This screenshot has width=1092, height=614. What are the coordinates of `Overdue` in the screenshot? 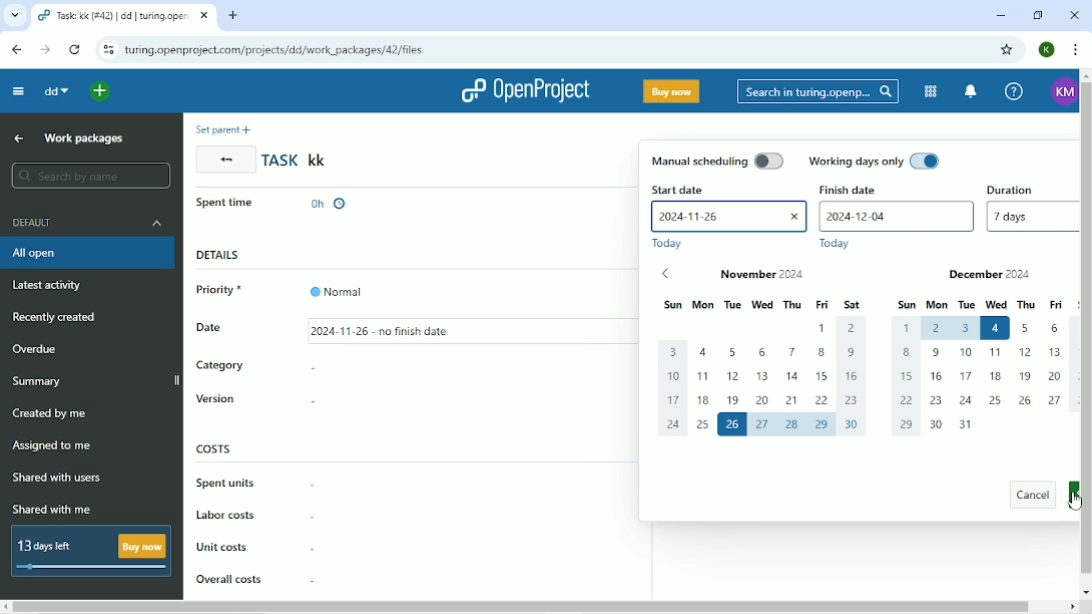 It's located at (40, 349).